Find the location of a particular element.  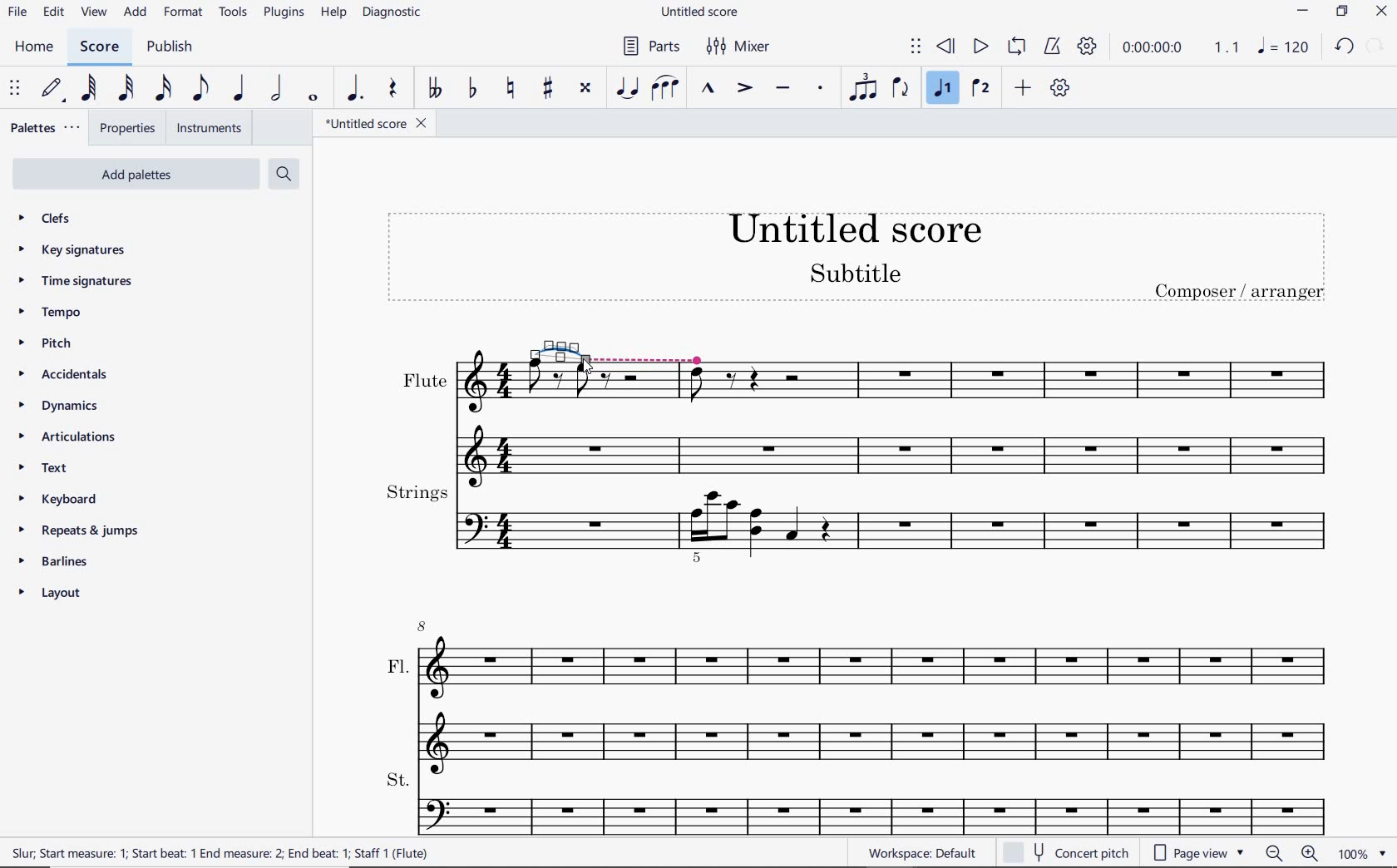

REST is located at coordinates (393, 89).